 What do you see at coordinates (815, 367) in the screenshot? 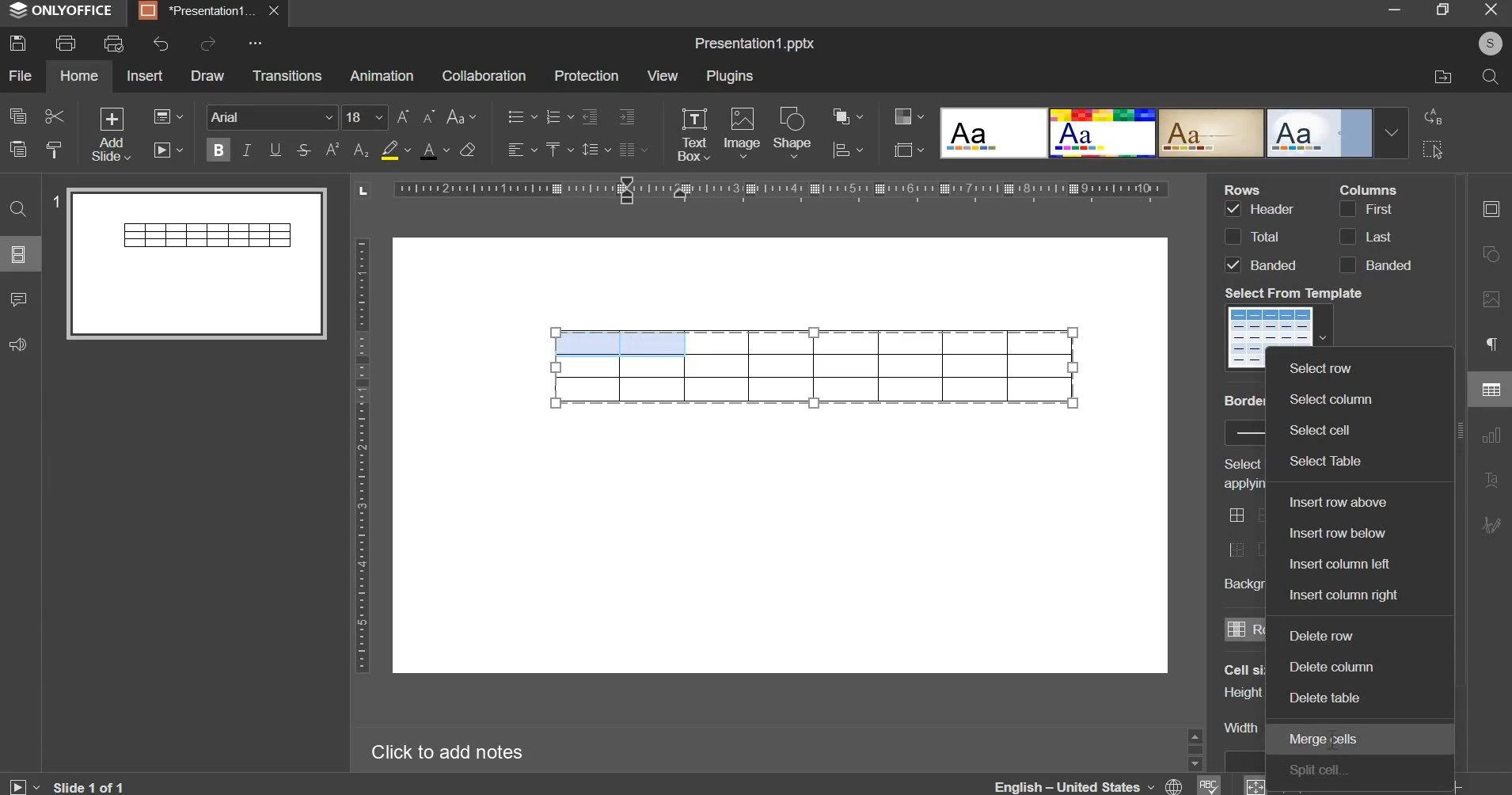
I see `table` at bounding box center [815, 367].